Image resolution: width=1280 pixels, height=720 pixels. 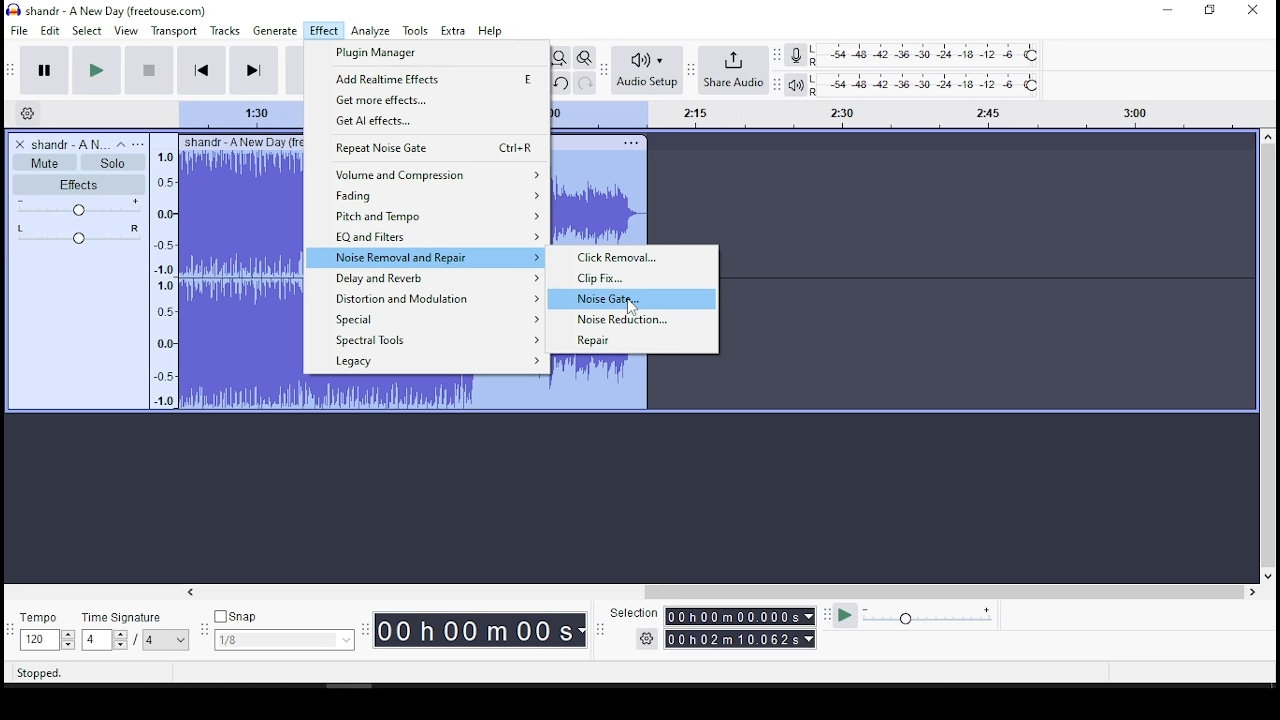 What do you see at coordinates (127, 31) in the screenshot?
I see `view` at bounding box center [127, 31].